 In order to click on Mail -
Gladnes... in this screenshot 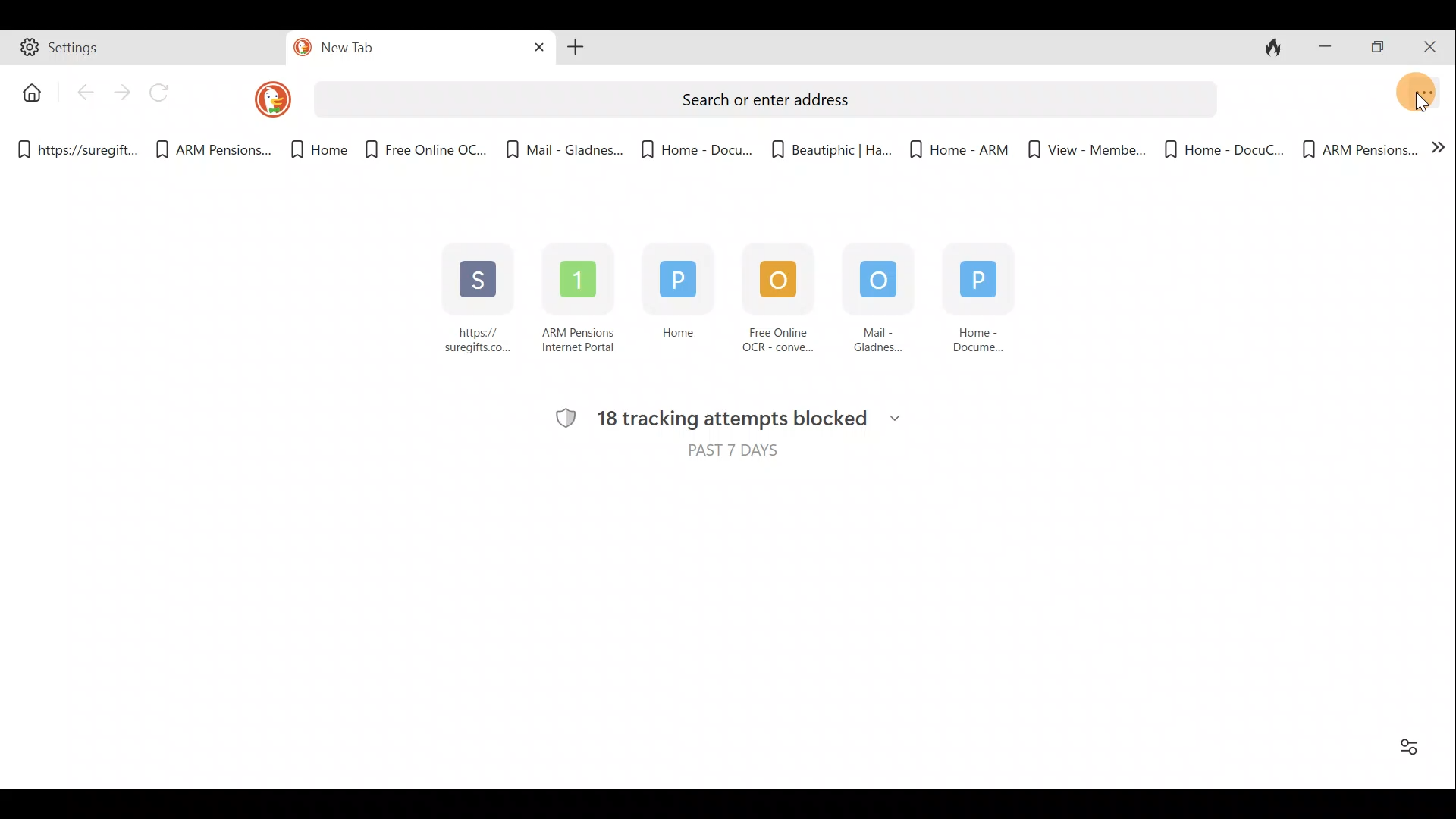, I will do `click(873, 301)`.